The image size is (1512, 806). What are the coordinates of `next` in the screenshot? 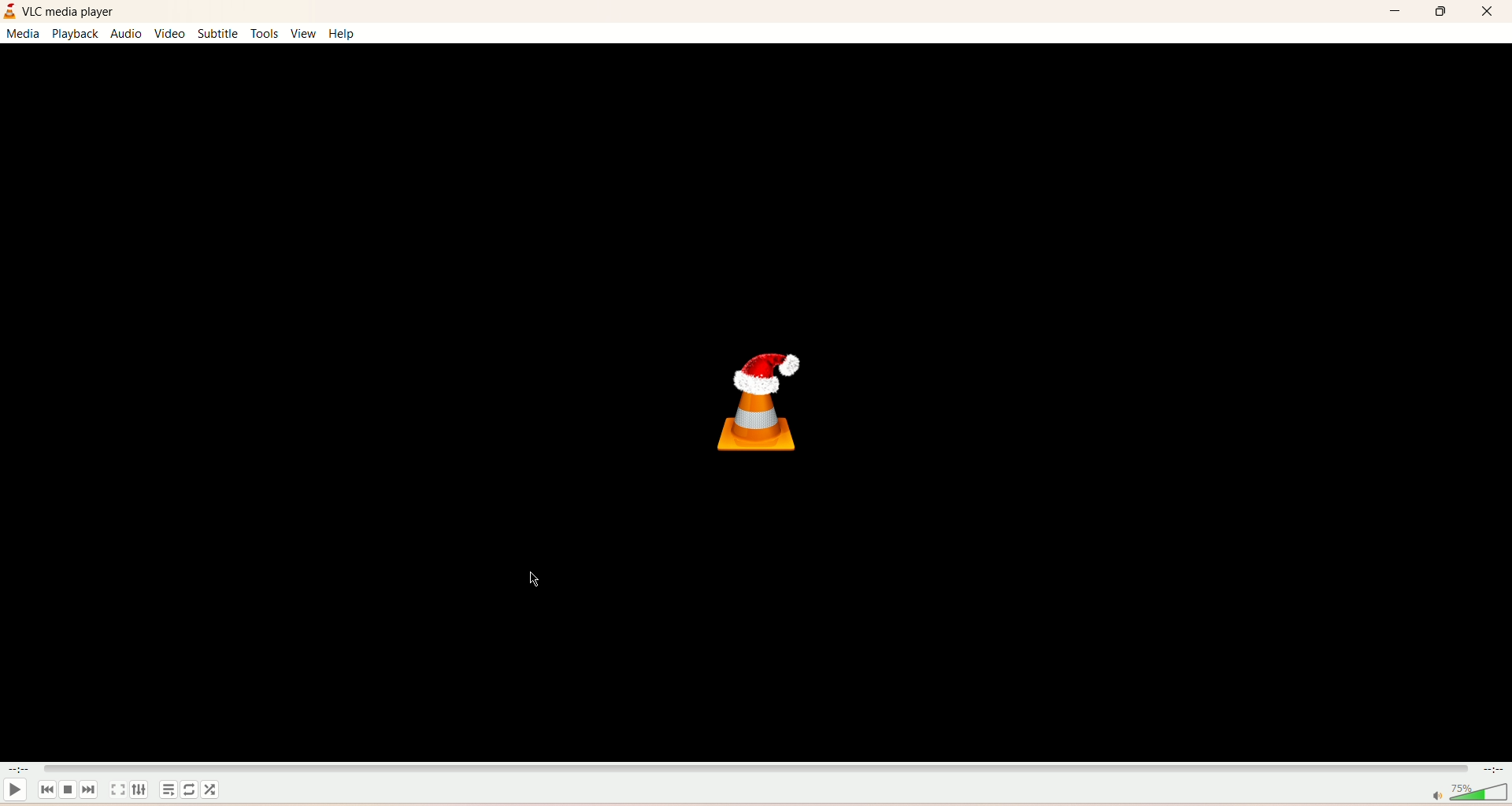 It's located at (89, 789).